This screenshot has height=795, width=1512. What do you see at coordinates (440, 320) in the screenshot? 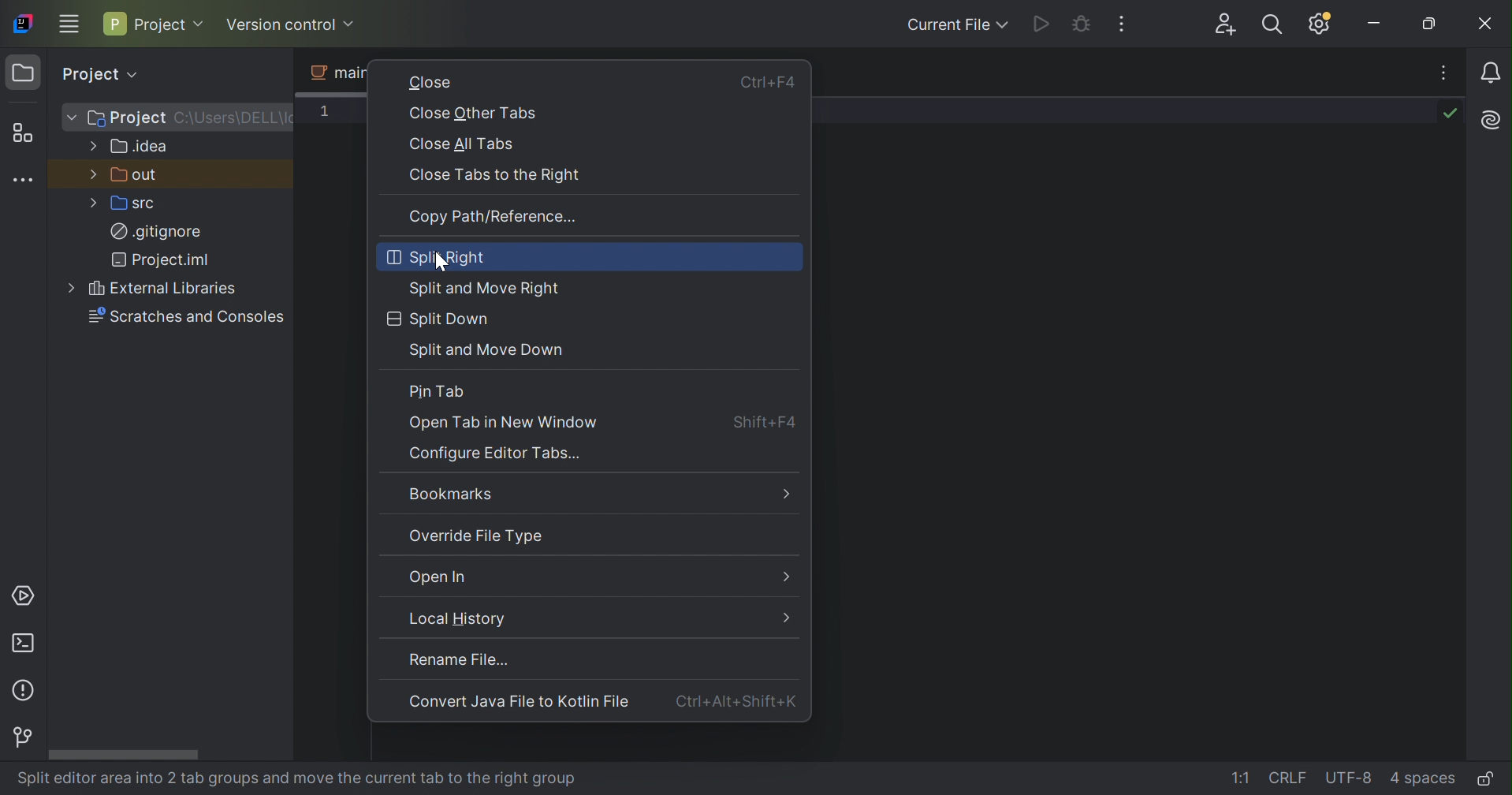
I see `Split Down` at bounding box center [440, 320].